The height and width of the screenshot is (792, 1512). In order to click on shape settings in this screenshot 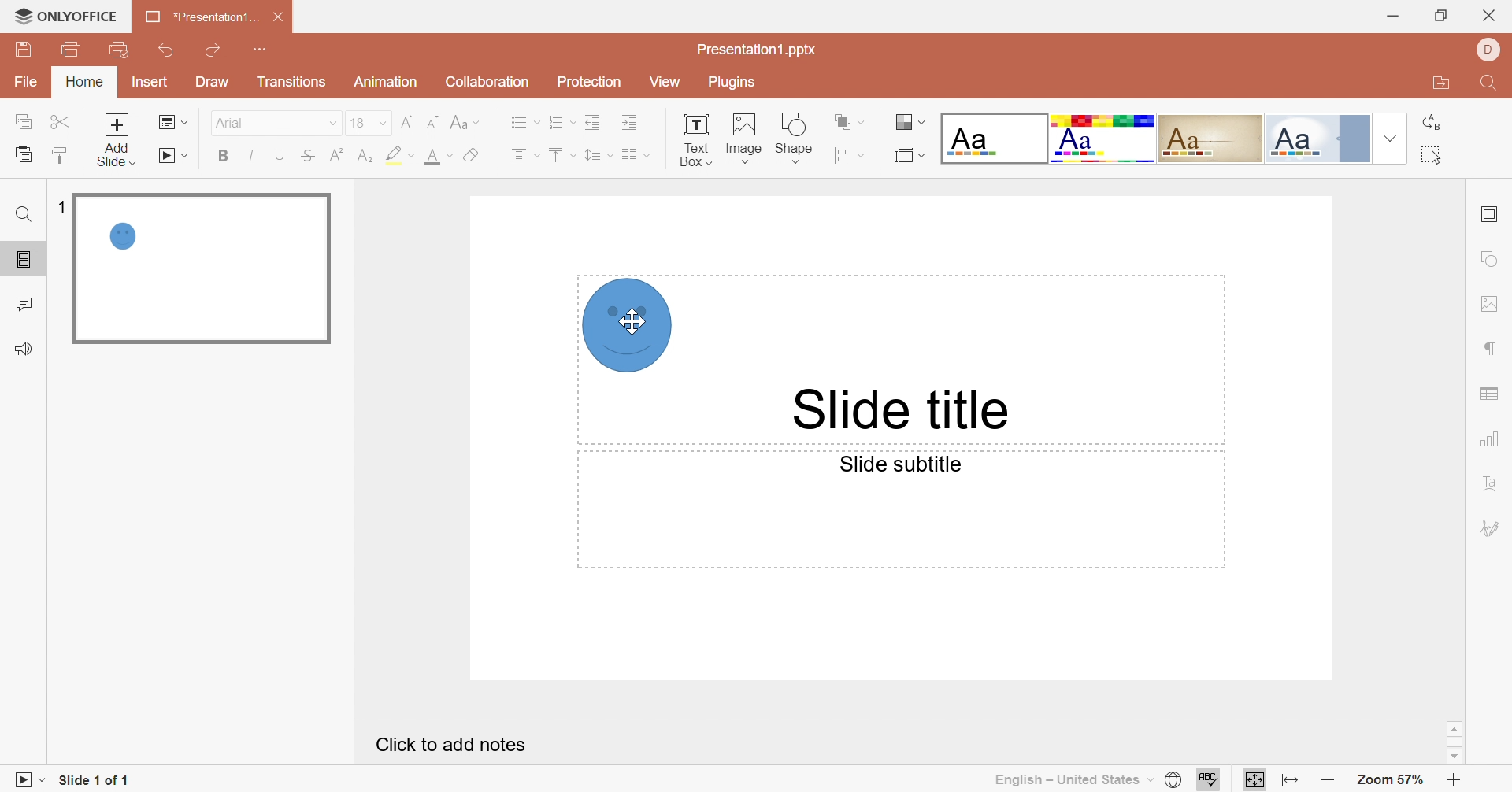, I will do `click(1492, 260)`.